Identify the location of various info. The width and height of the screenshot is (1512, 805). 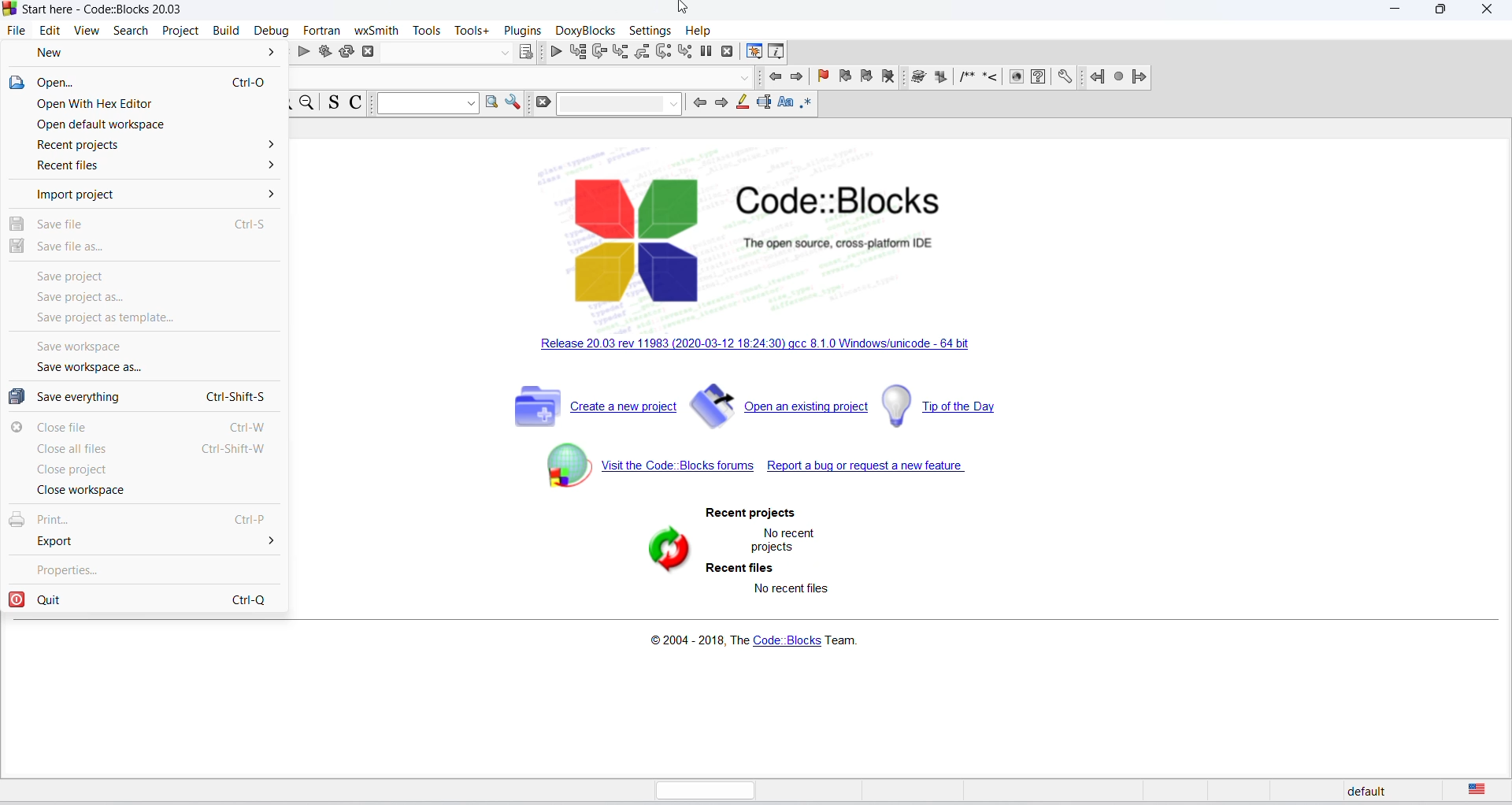
(778, 52).